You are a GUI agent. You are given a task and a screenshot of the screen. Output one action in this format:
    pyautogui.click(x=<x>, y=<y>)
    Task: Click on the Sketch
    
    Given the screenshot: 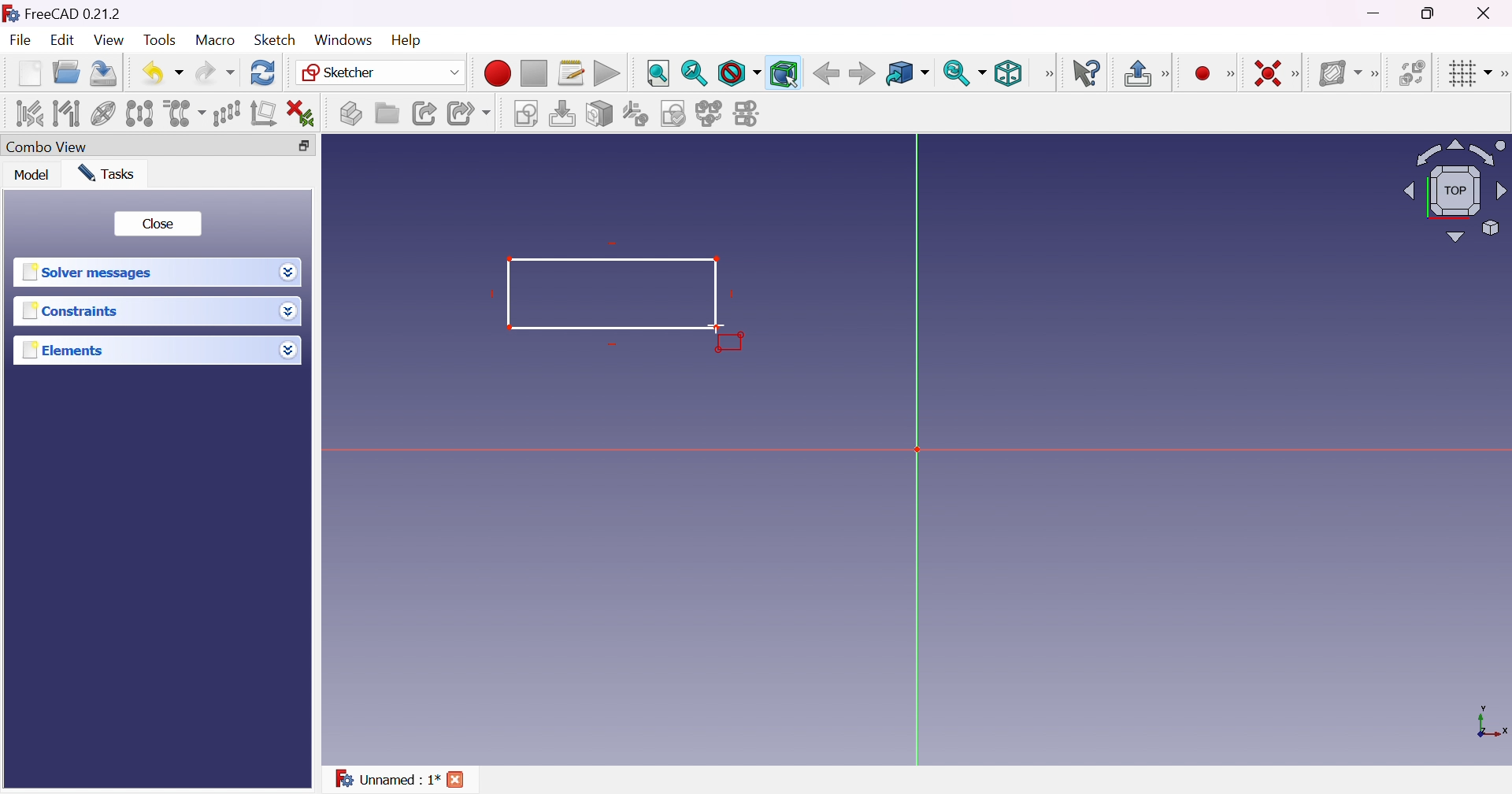 What is the action you would take?
    pyautogui.click(x=276, y=40)
    